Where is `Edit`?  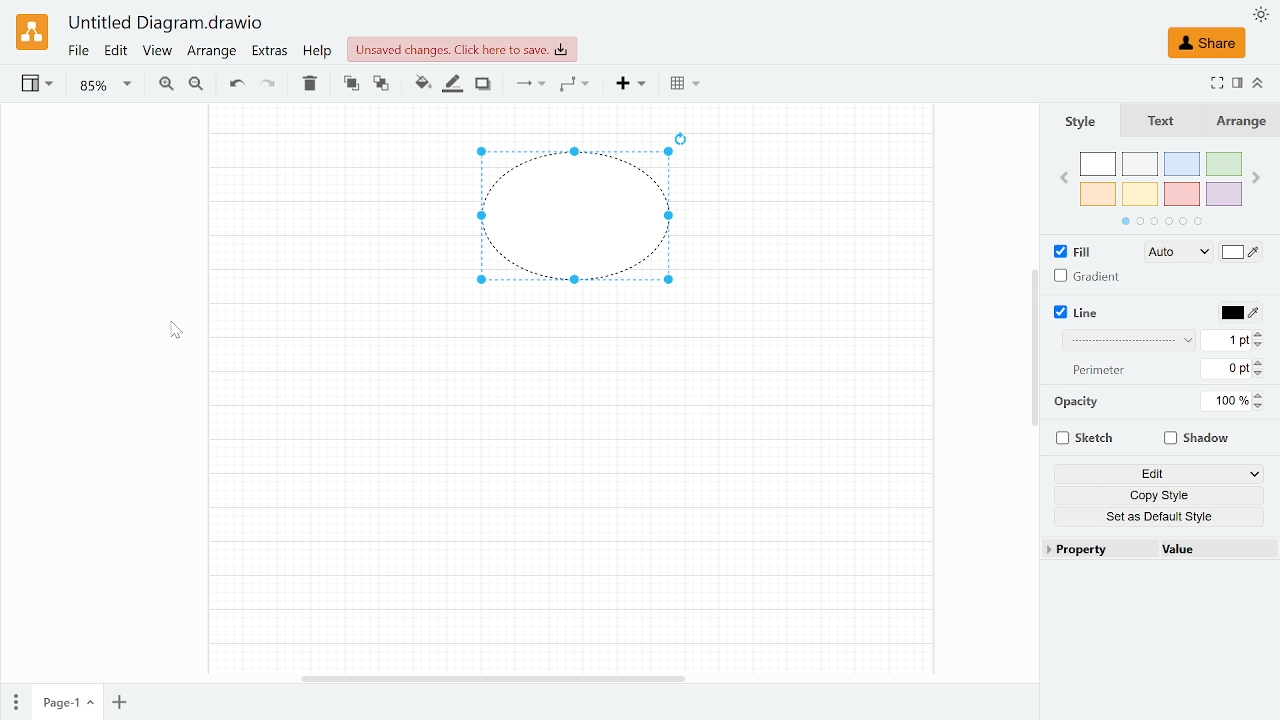 Edit is located at coordinates (1158, 474).